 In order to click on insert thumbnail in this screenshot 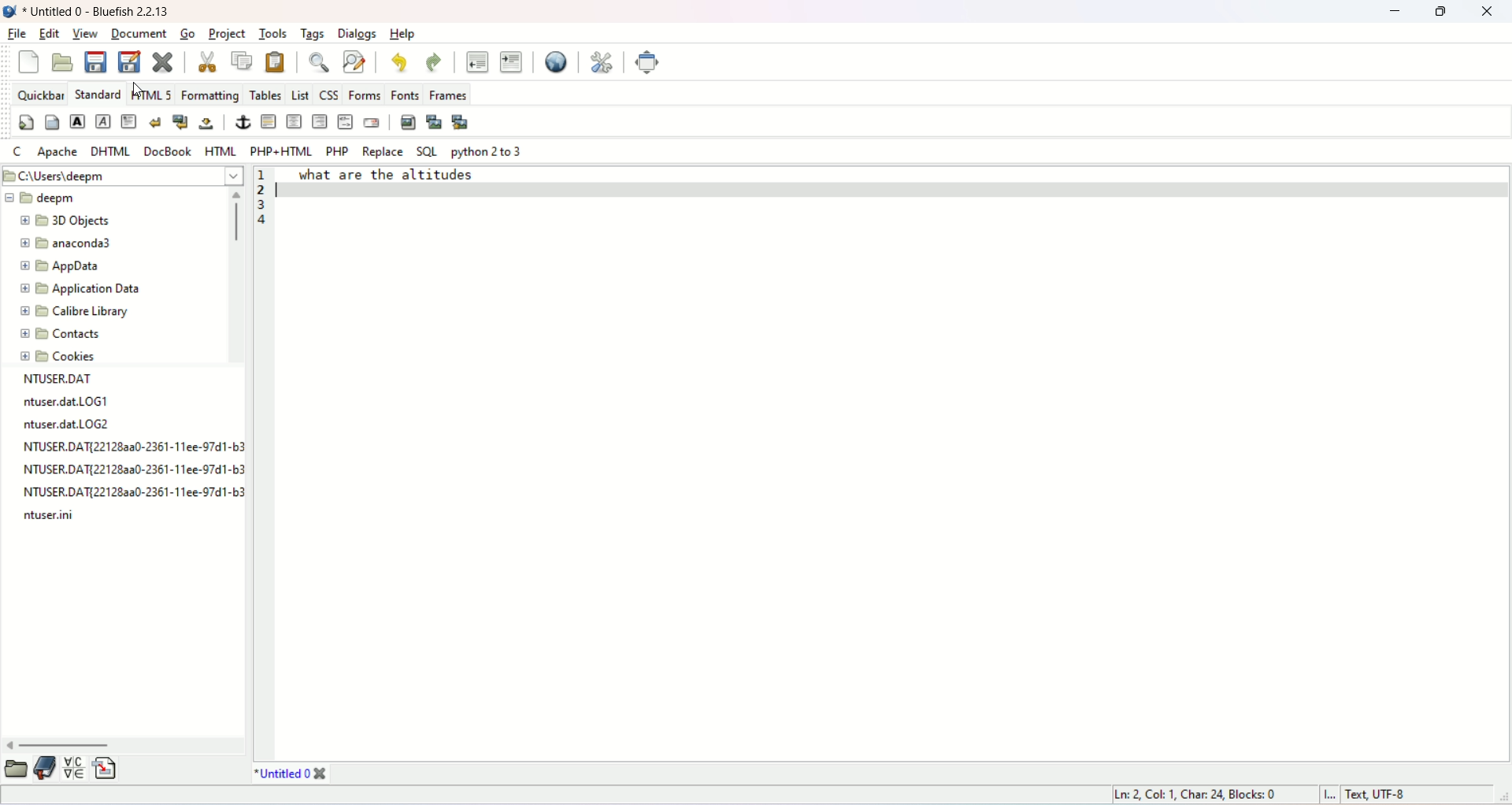, I will do `click(435, 122)`.